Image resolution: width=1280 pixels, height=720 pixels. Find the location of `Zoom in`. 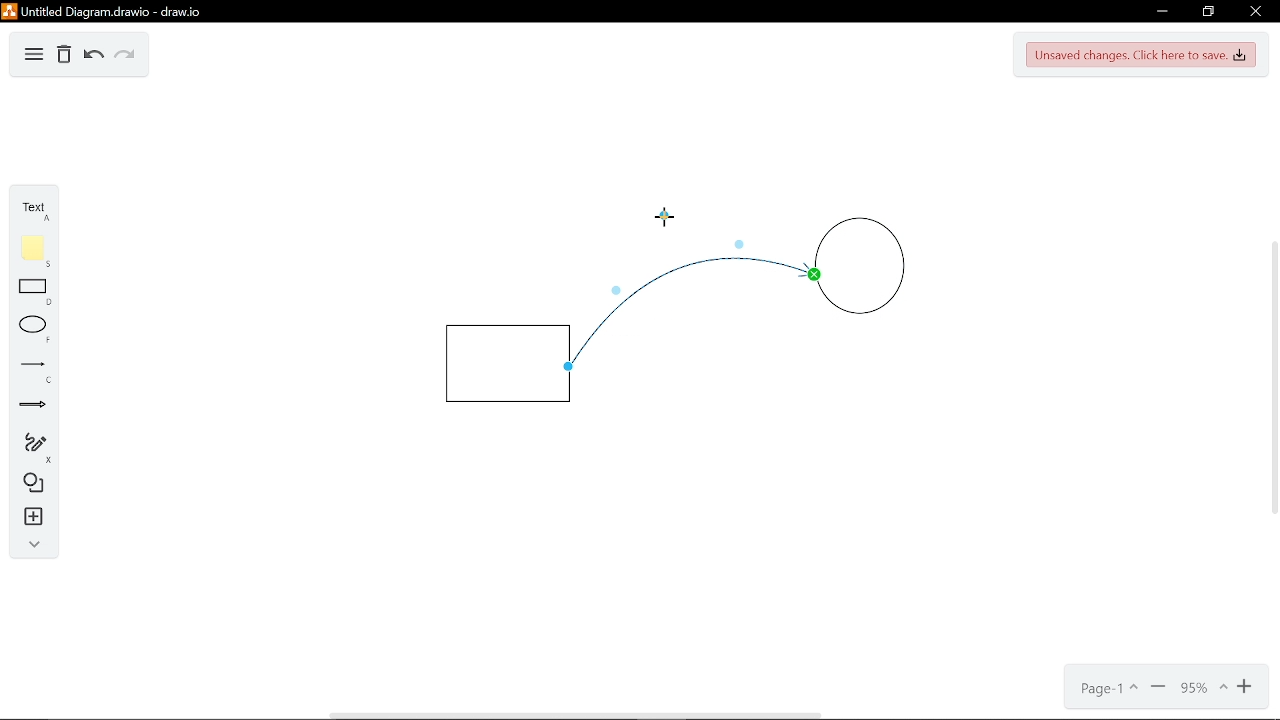

Zoom in is located at coordinates (1246, 688).